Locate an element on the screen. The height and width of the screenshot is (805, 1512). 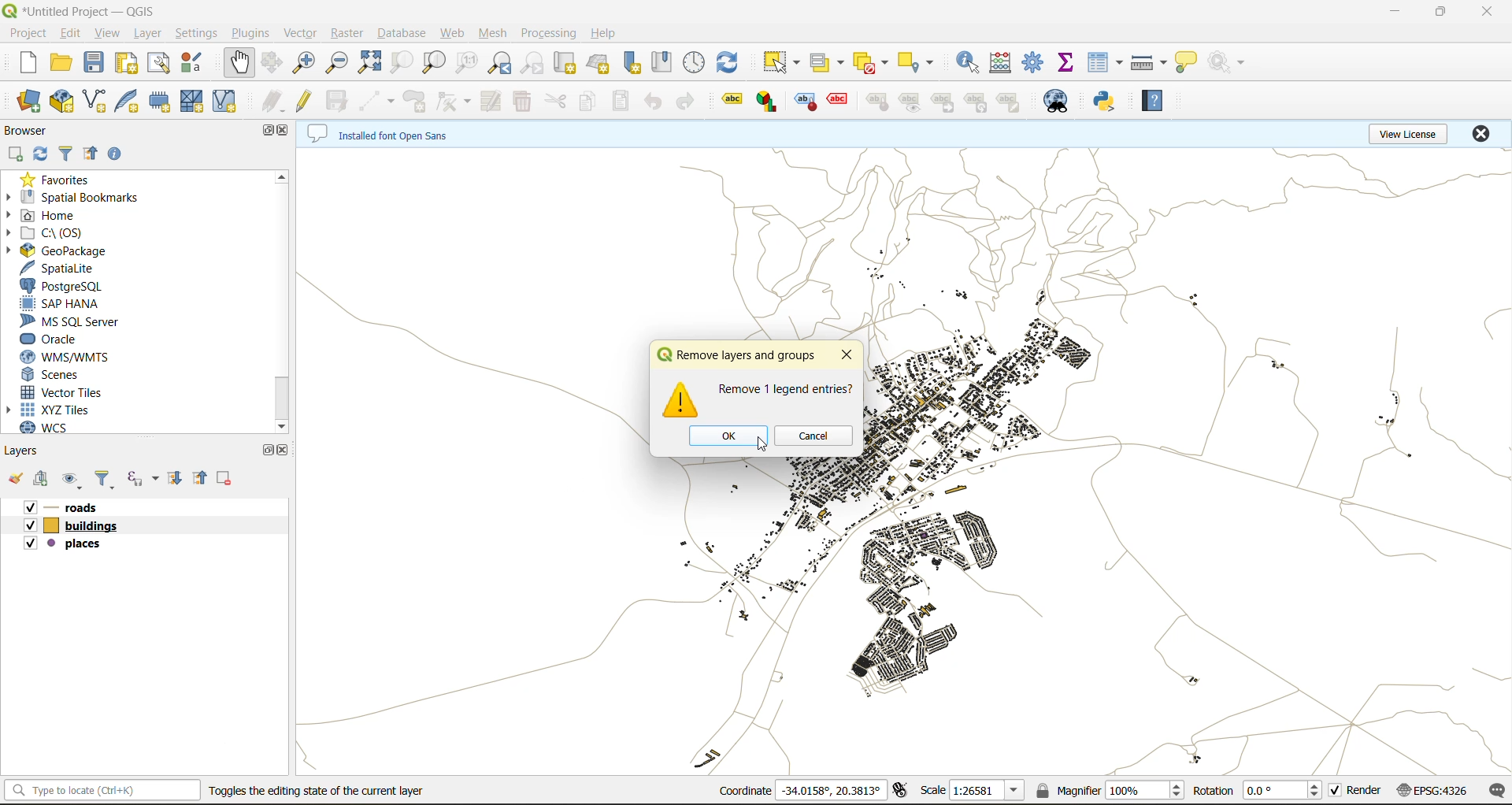
database is located at coordinates (400, 35).